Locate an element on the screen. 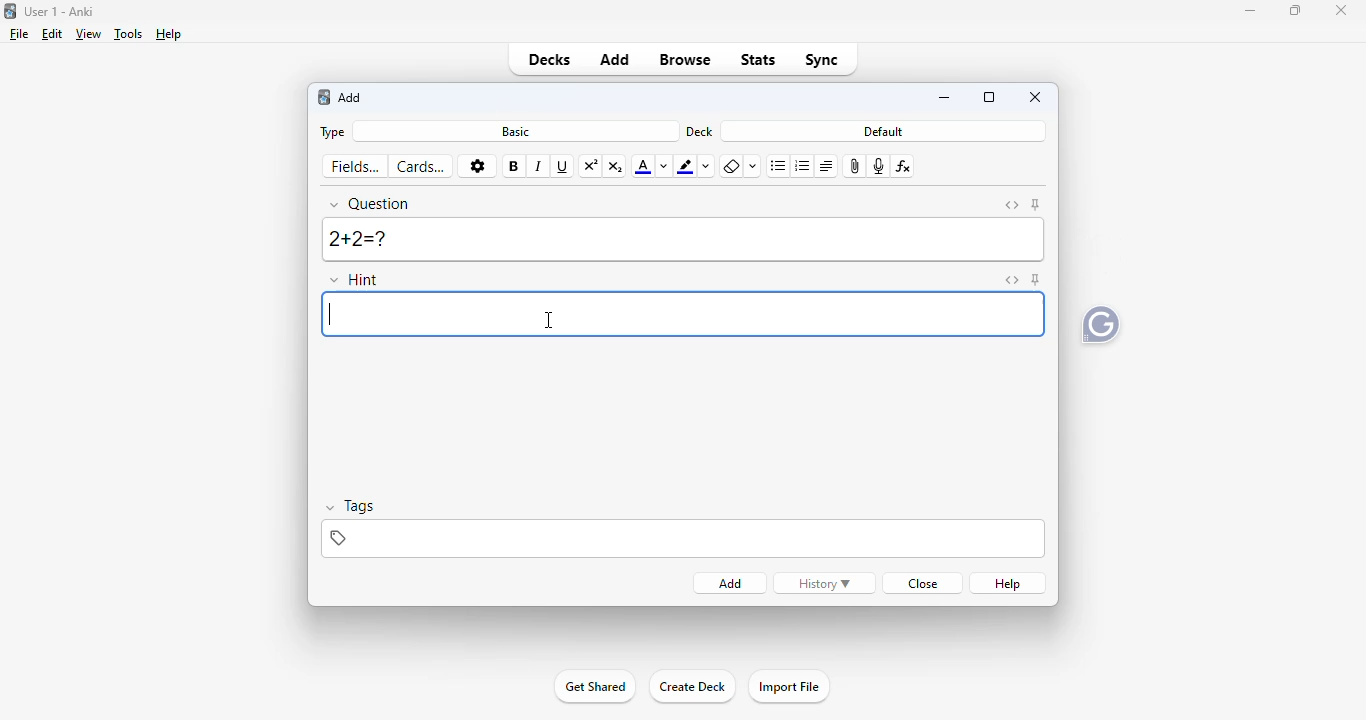 This screenshot has height=720, width=1366. alignment is located at coordinates (827, 166).